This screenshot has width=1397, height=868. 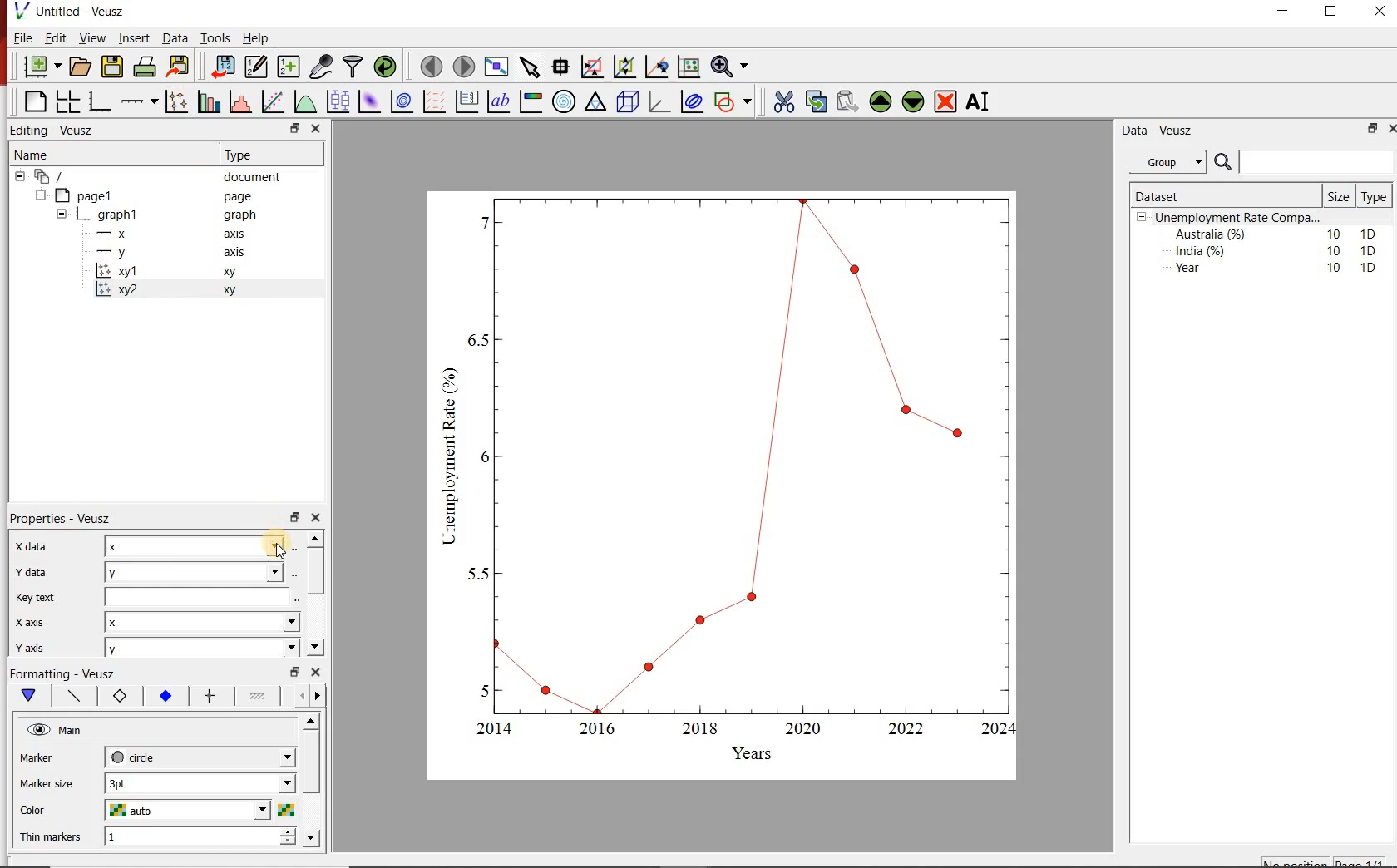 What do you see at coordinates (43, 66) in the screenshot?
I see `new document` at bounding box center [43, 66].